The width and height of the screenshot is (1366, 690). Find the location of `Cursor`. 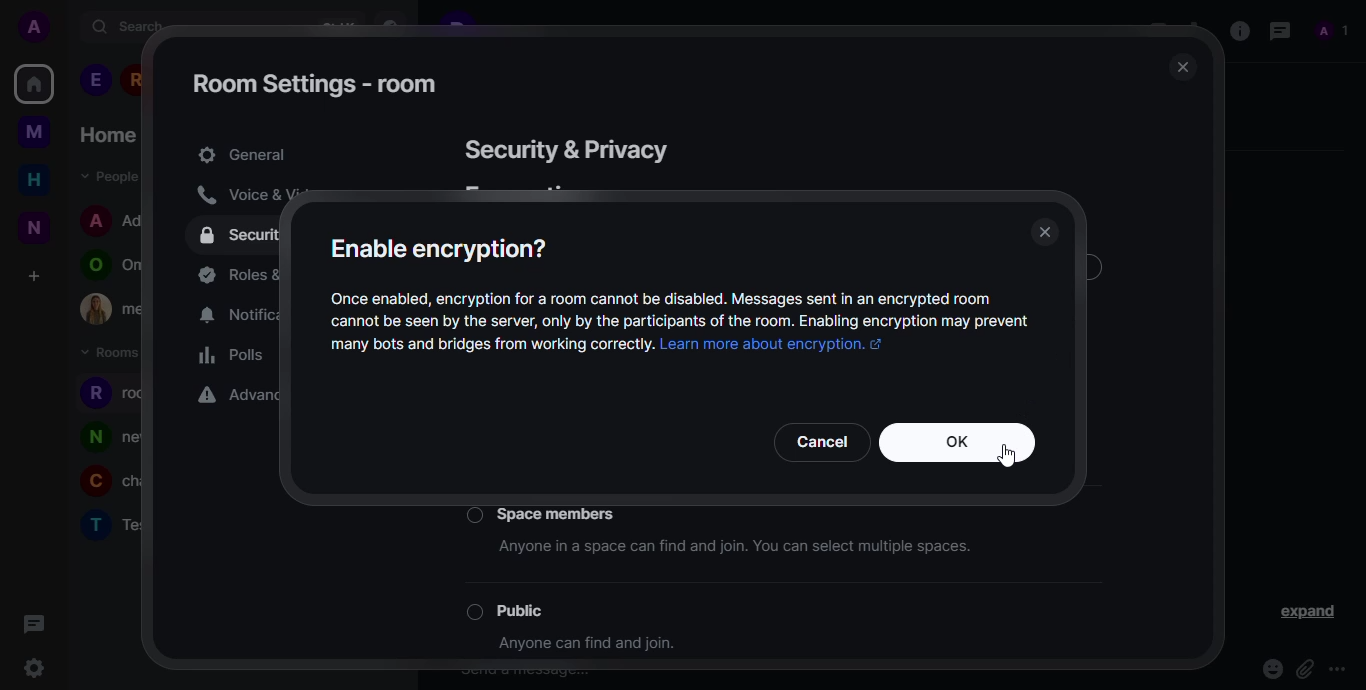

Cursor is located at coordinates (1010, 455).